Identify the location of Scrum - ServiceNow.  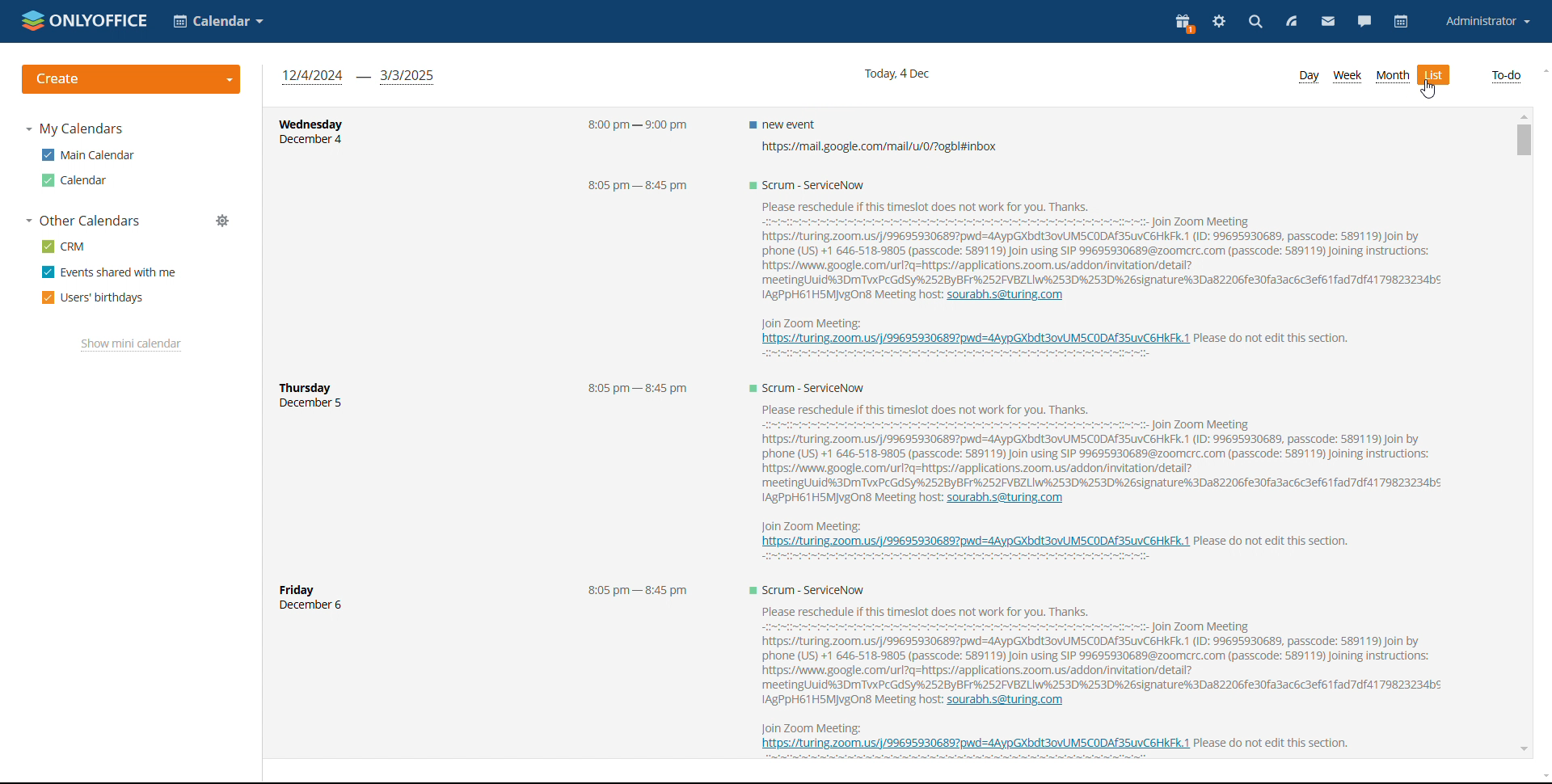
(801, 388).